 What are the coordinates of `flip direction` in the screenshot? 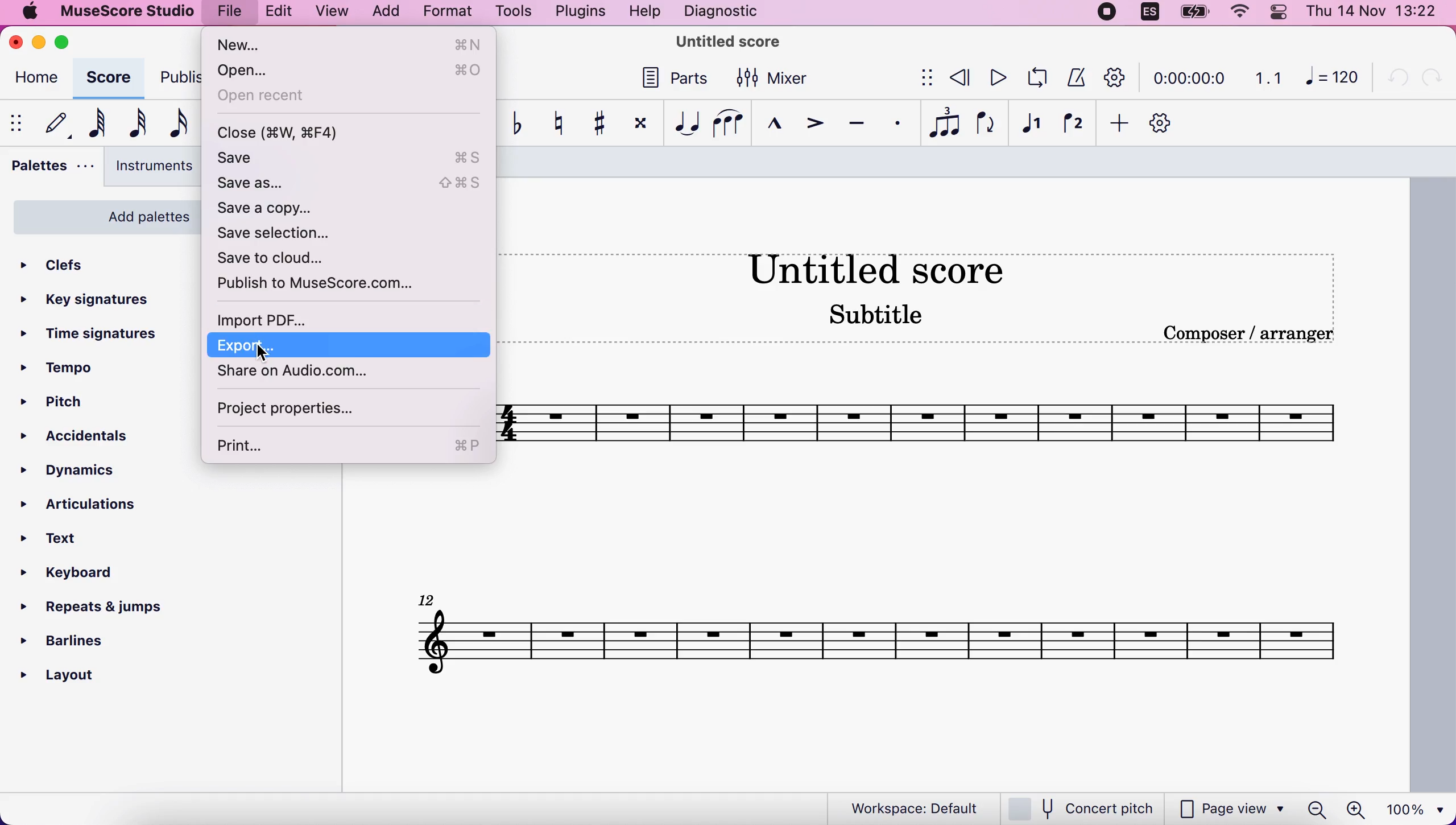 It's located at (987, 122).